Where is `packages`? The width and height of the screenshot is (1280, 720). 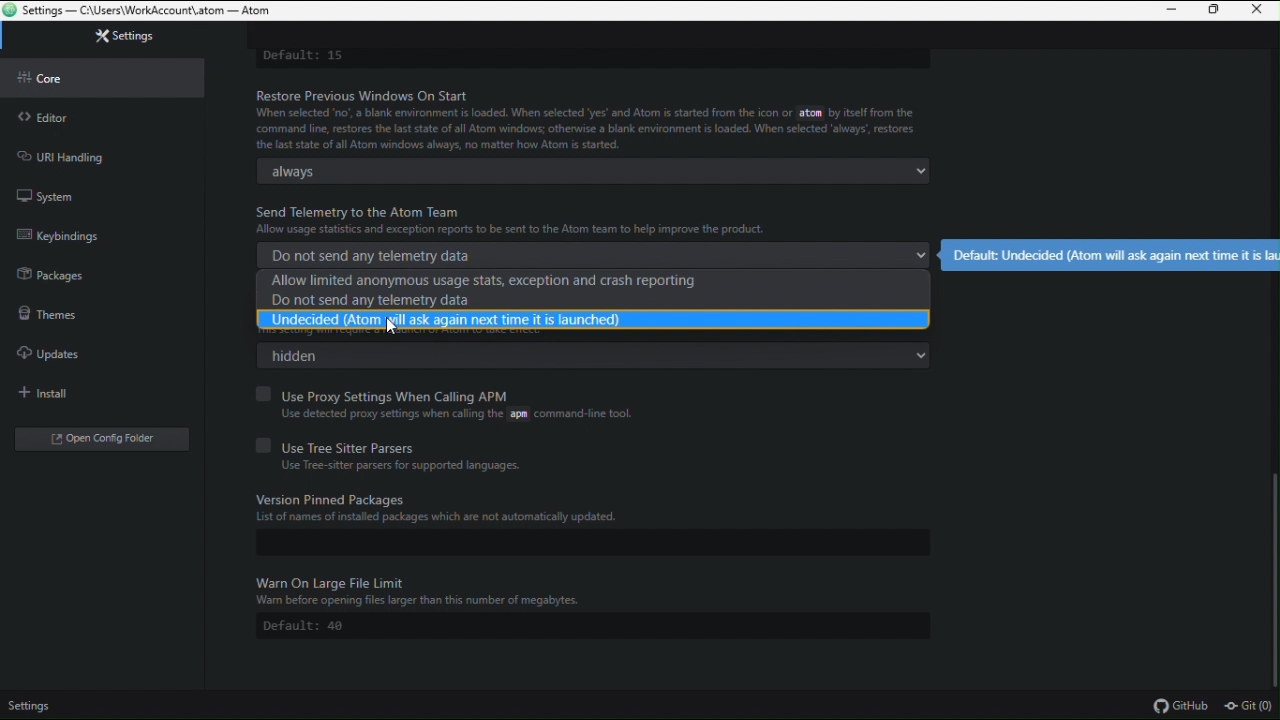 packages is located at coordinates (102, 271).